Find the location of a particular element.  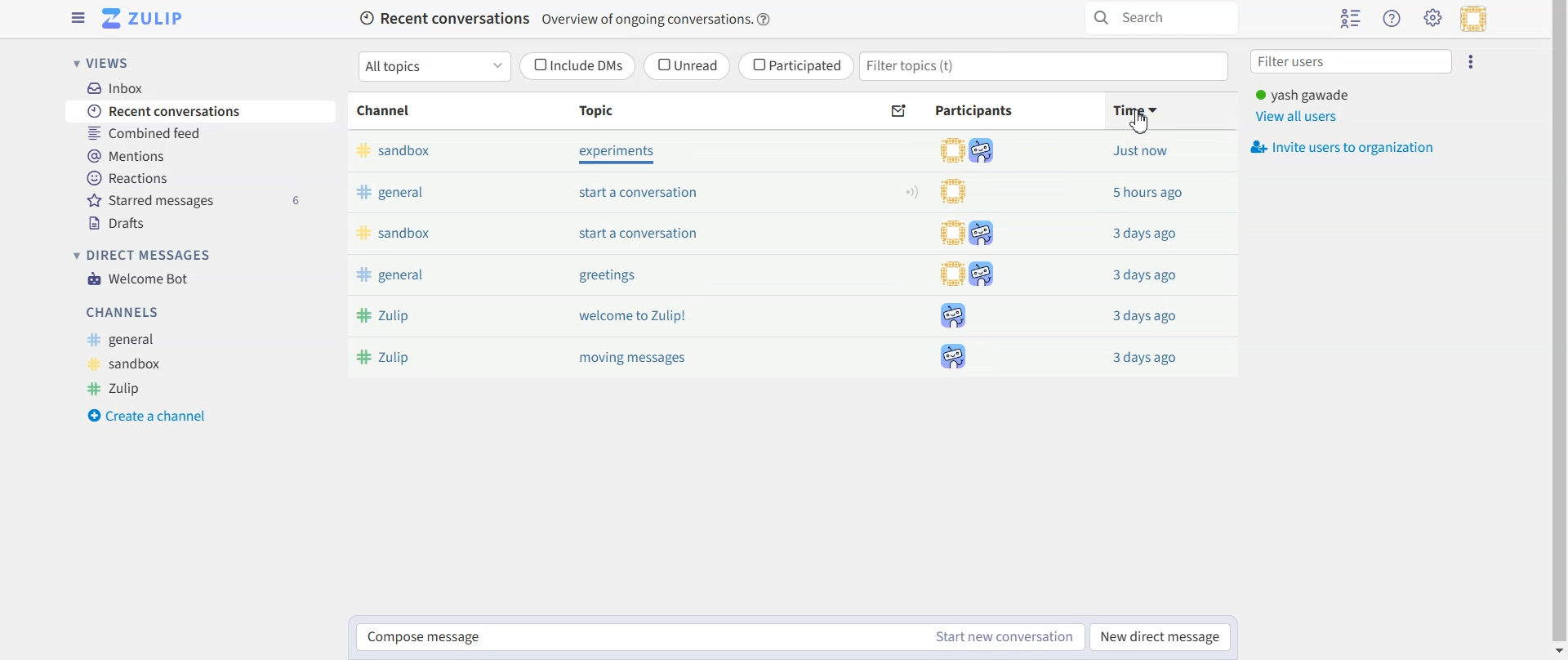

Channel is located at coordinates (387, 111).